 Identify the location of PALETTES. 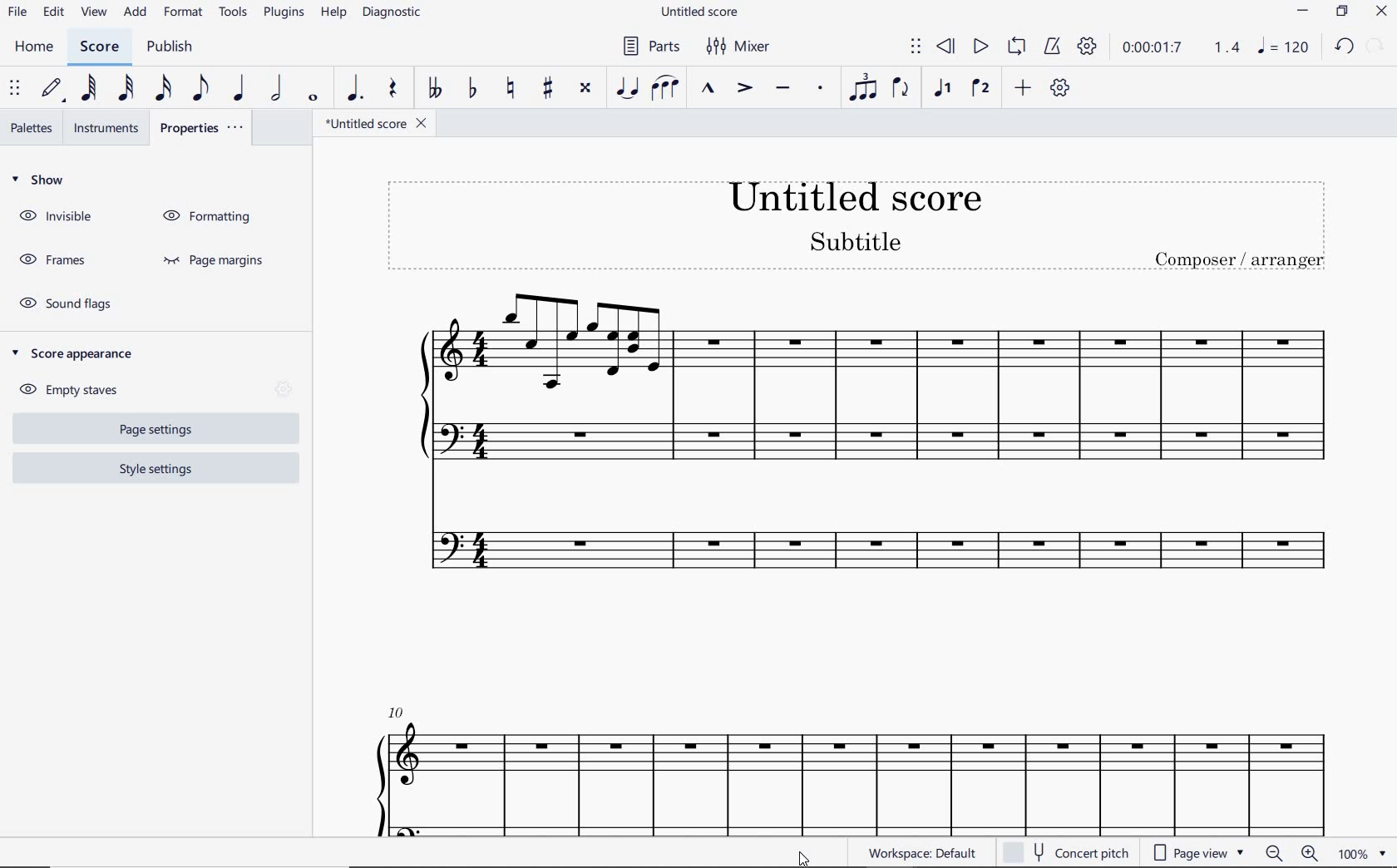
(31, 128).